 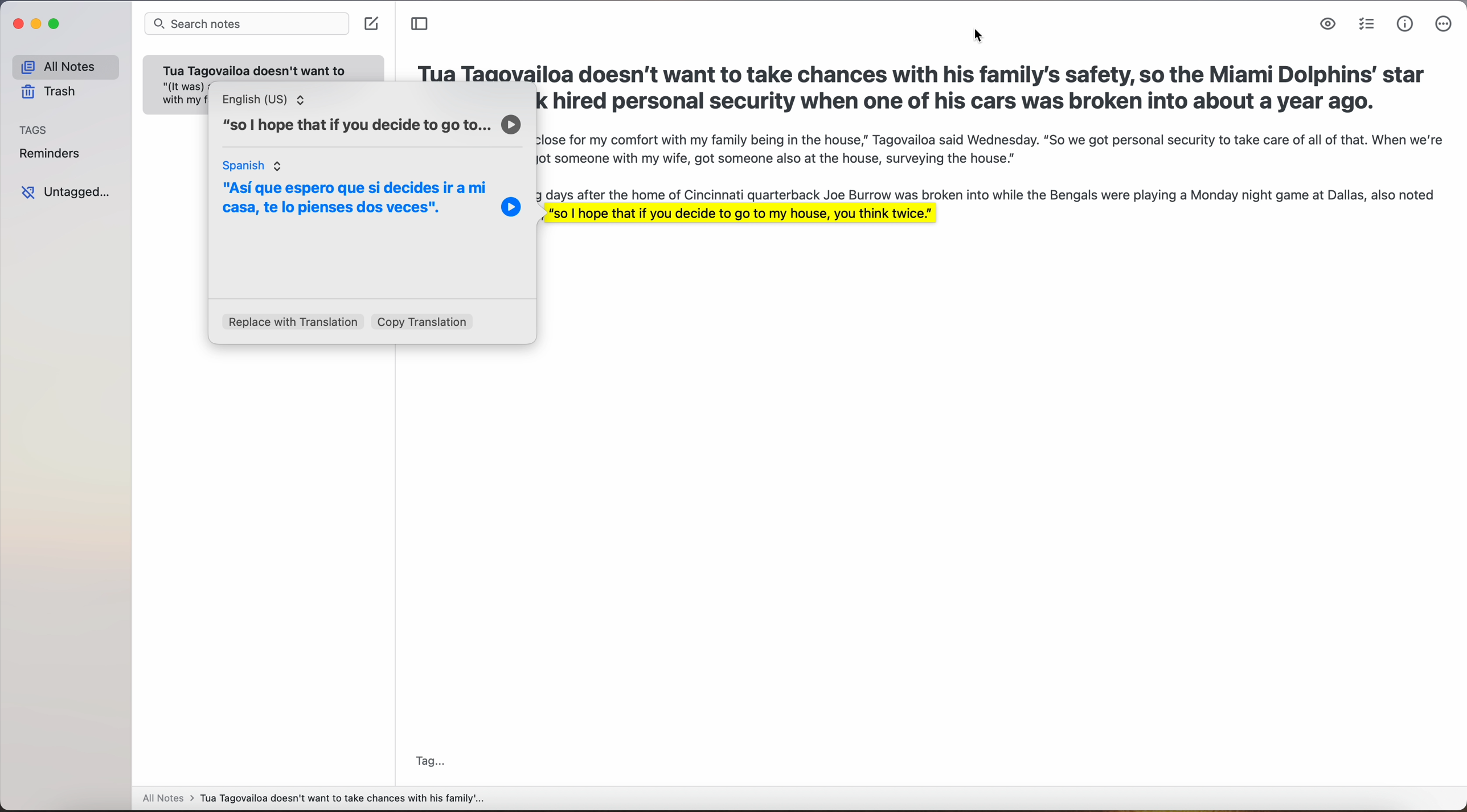 What do you see at coordinates (994, 166) in the screenshot?
I see `"(It was) a little too close for my comfort with my family being in the house,” Tagovailoa said Wednesday. “So we got personal security to take care of all of that. When we’re on the road, we’ve got someone with my wife, got someone also at the house, surveying the house.”` at bounding box center [994, 166].